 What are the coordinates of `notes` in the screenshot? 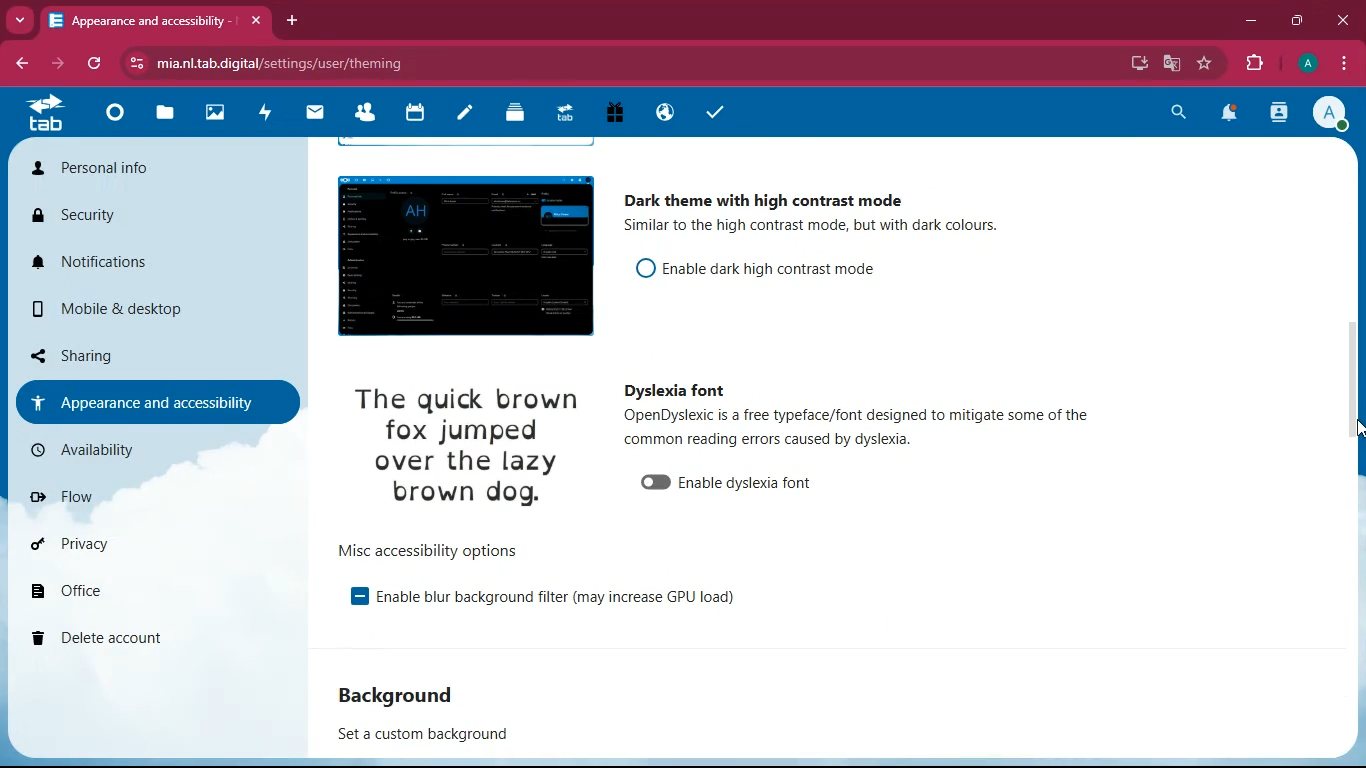 It's located at (470, 113).